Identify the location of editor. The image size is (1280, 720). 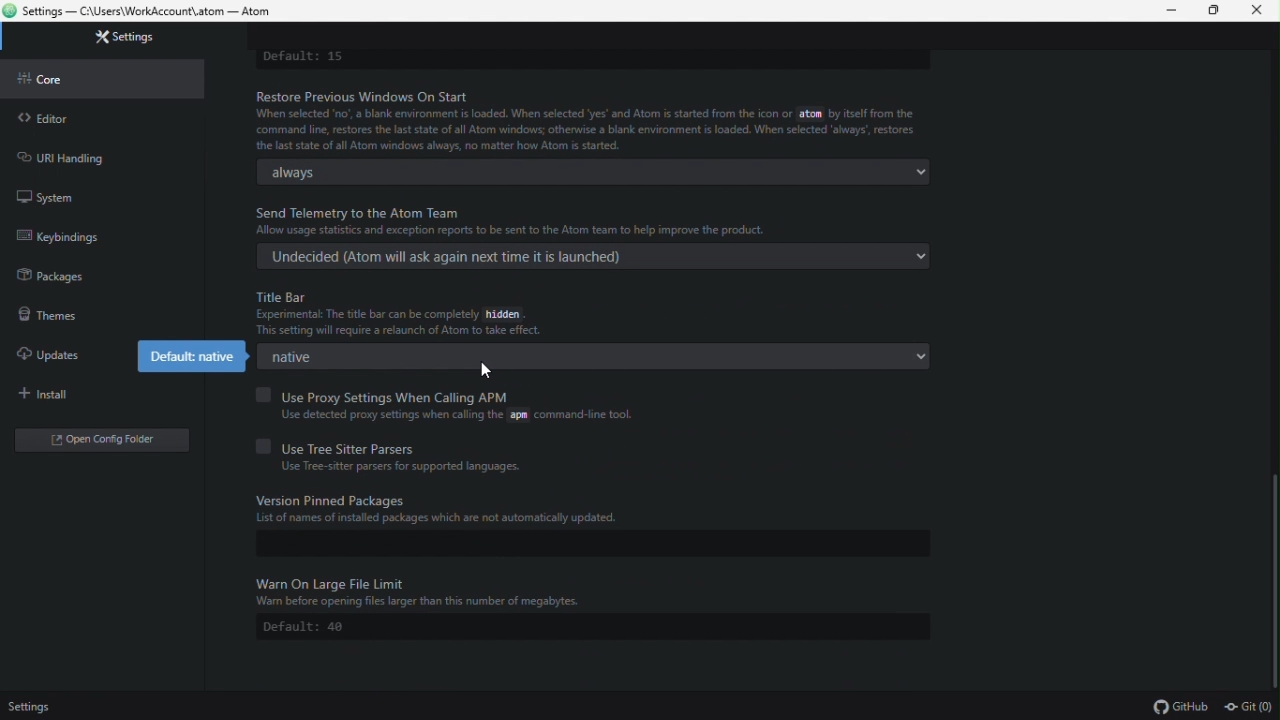
(106, 114).